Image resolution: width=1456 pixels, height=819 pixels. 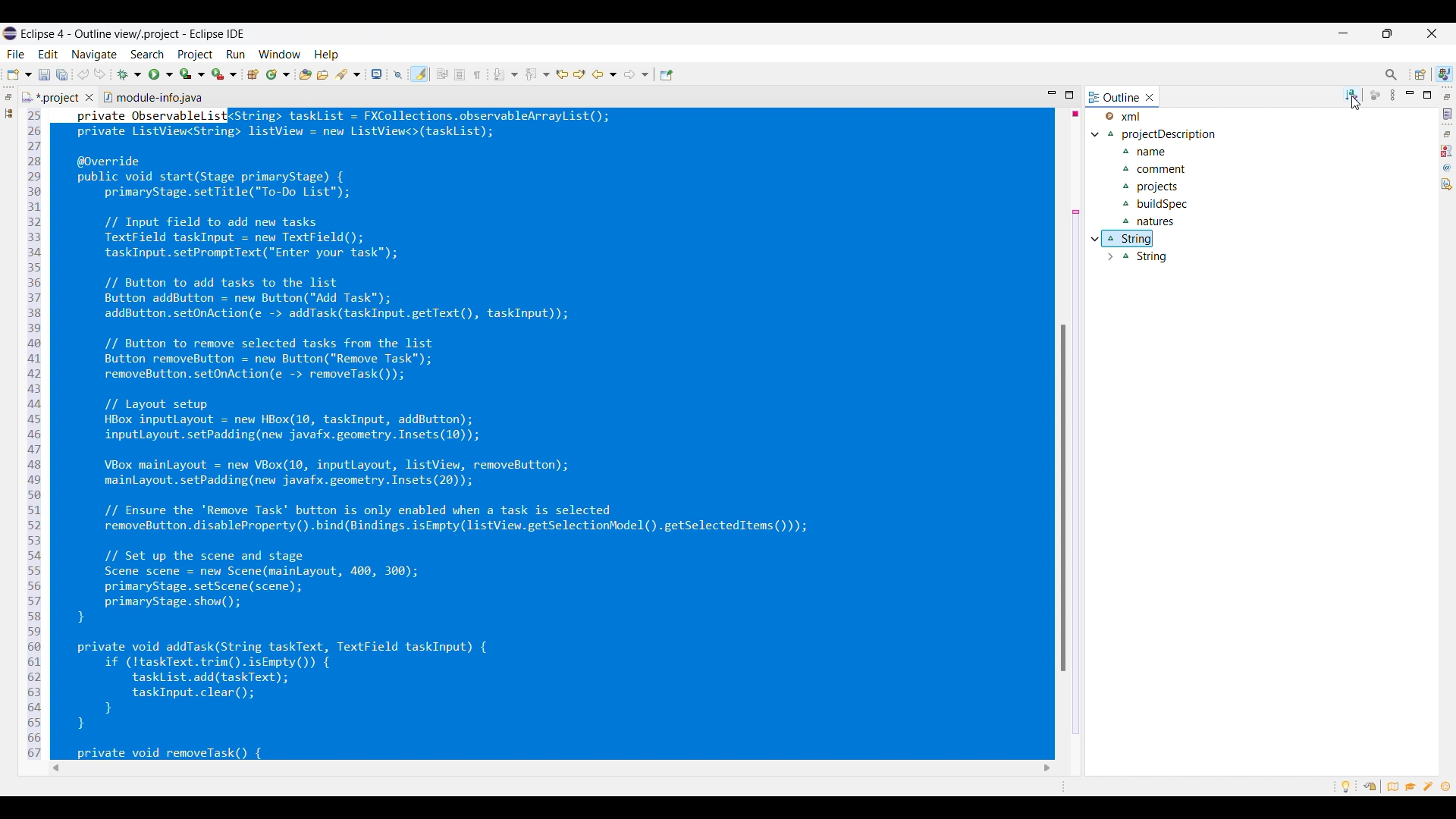 What do you see at coordinates (636, 74) in the screenshot?
I see `Forward options` at bounding box center [636, 74].